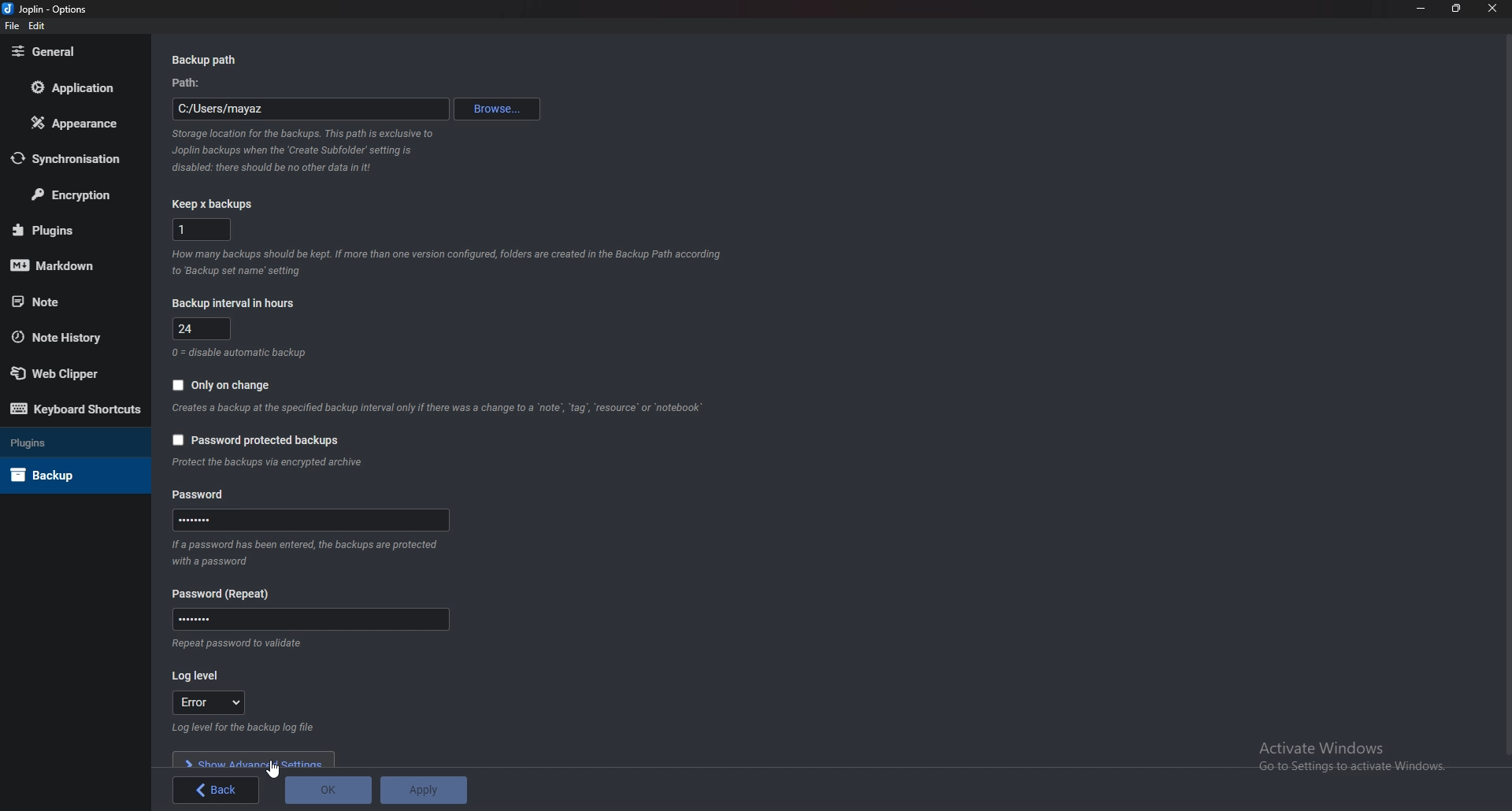 This screenshot has width=1512, height=811. I want to click on Hours, so click(199, 329).